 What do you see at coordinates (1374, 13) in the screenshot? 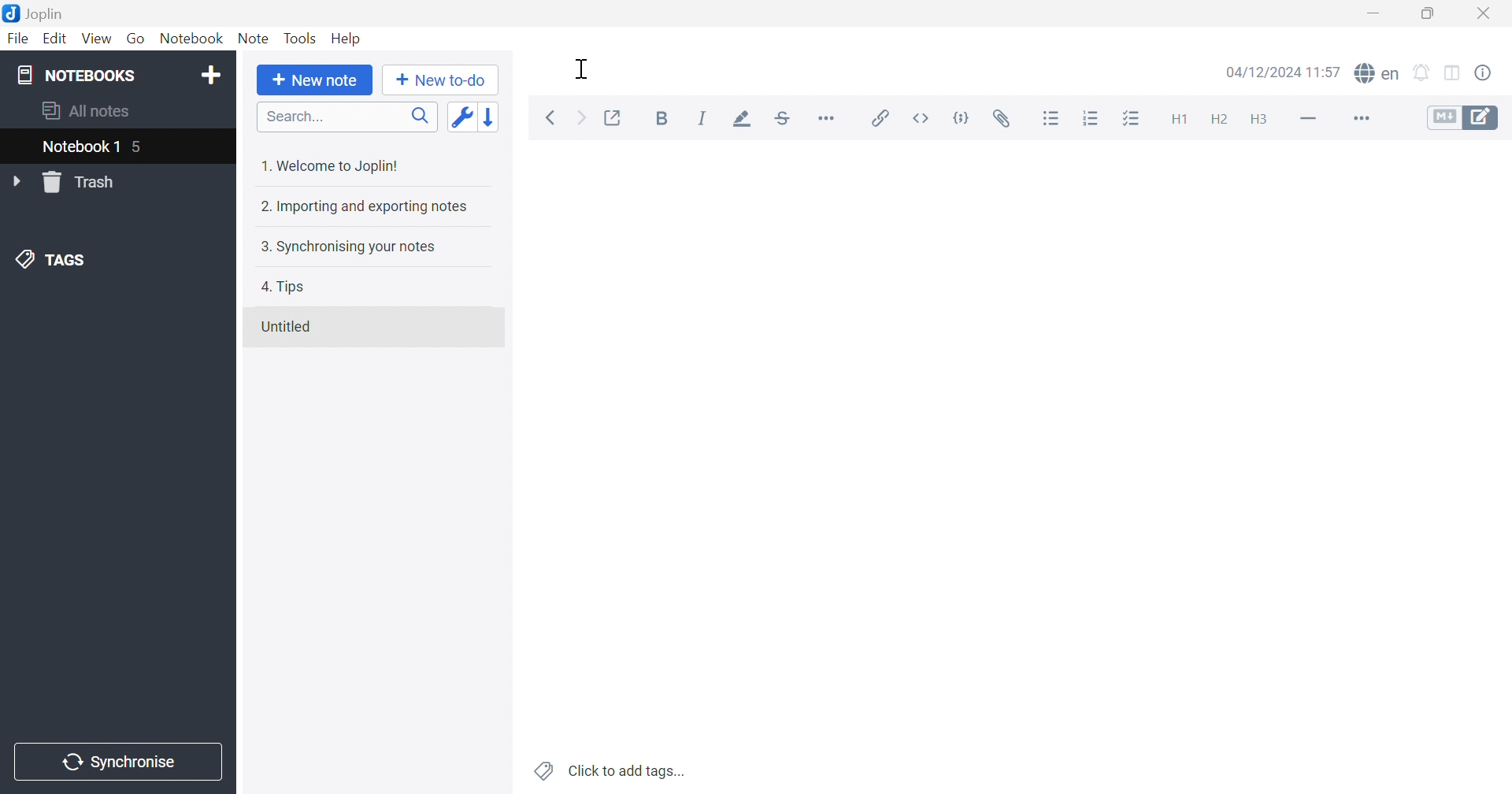
I see `Minimize` at bounding box center [1374, 13].